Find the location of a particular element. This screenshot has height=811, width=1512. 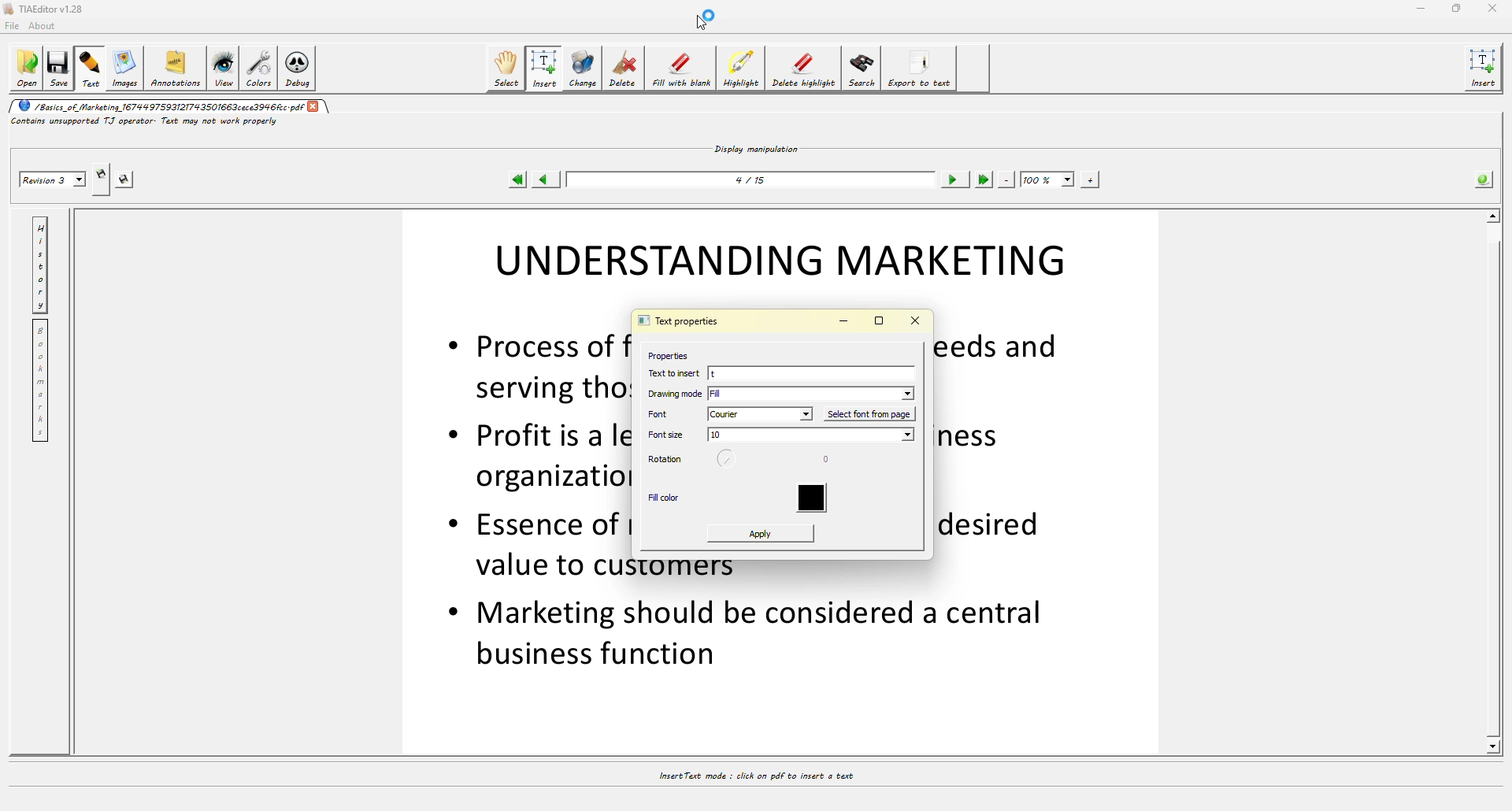

text to insert is located at coordinates (676, 372).